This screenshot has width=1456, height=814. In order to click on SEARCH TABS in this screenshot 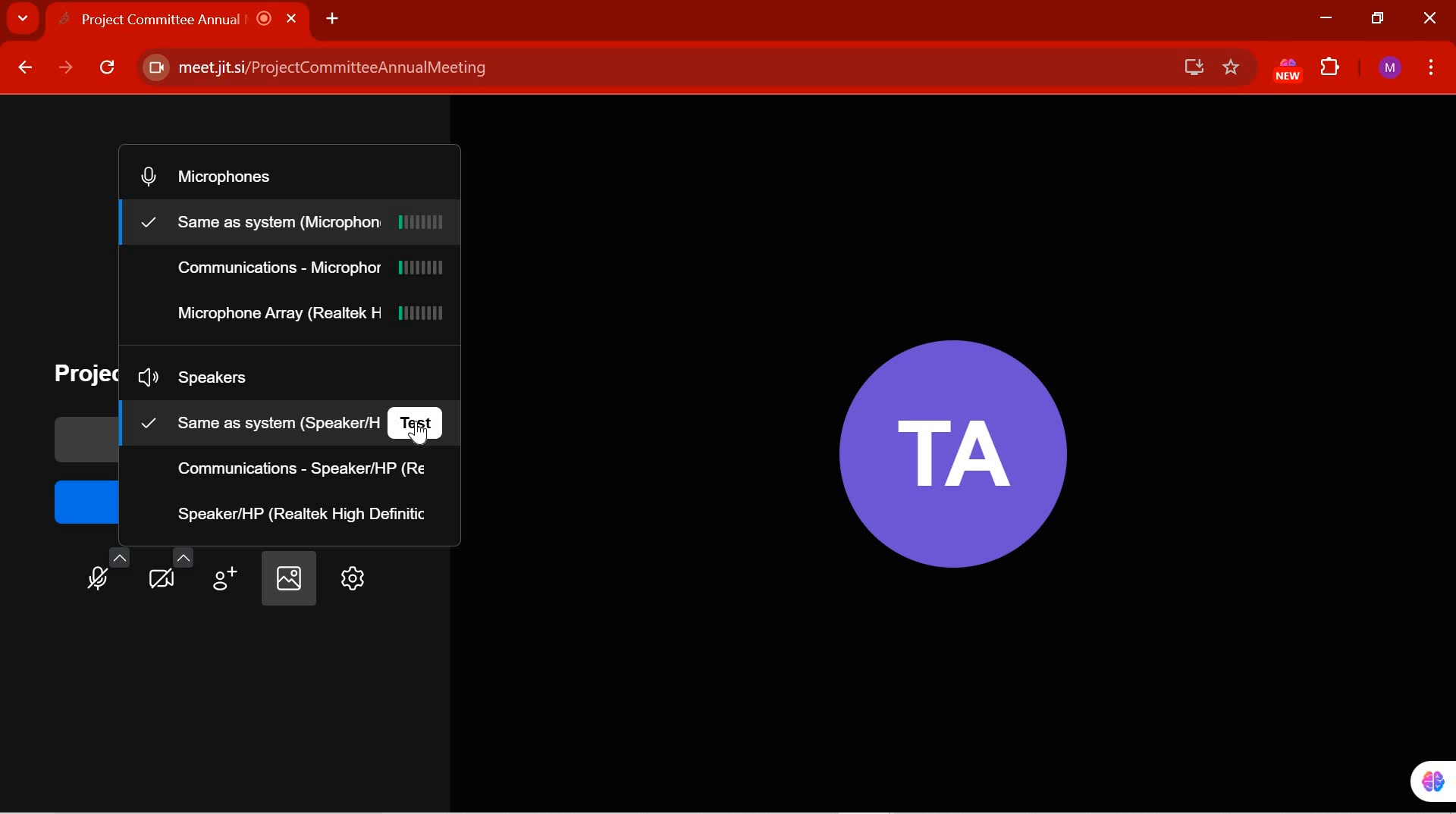, I will do `click(23, 20)`.